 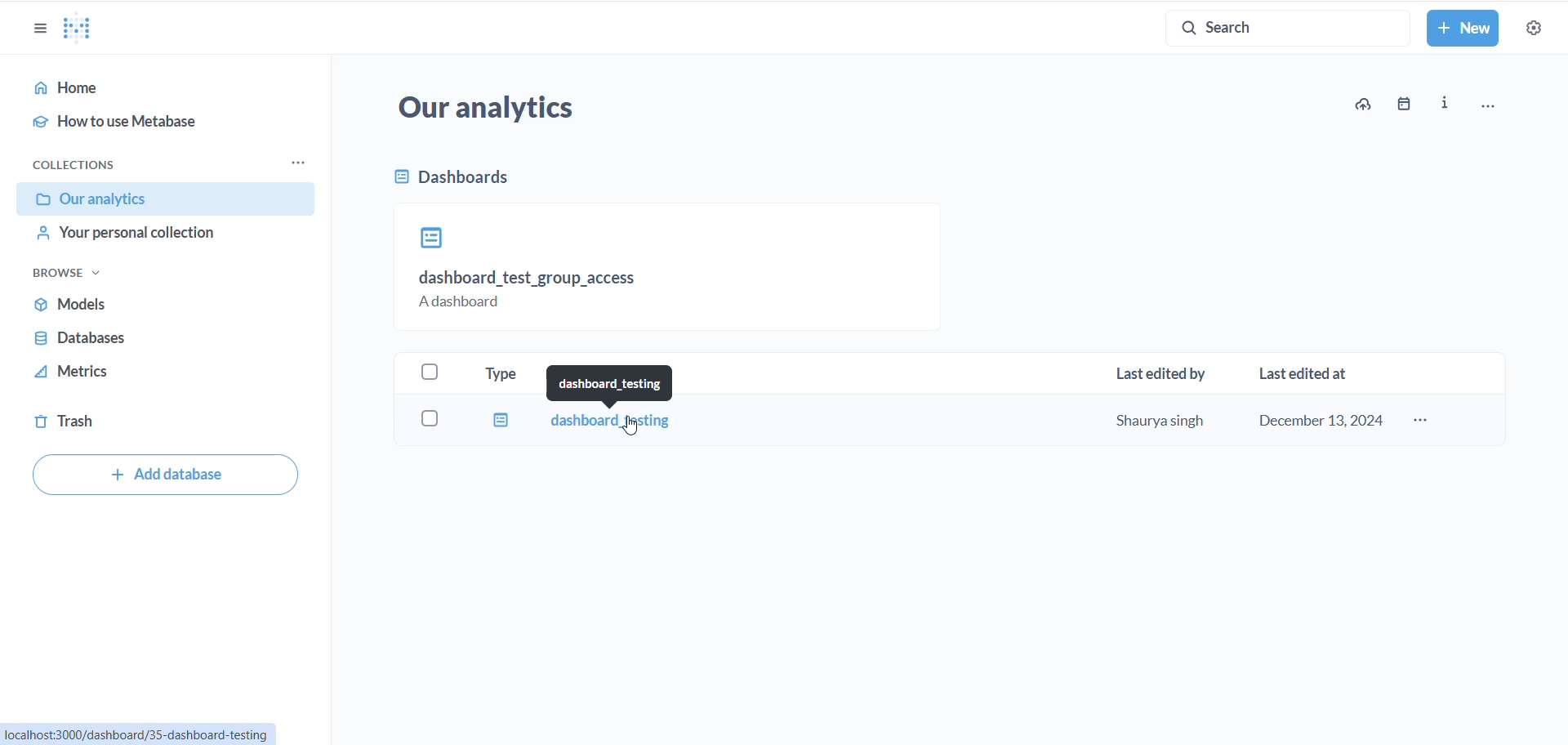 What do you see at coordinates (433, 373) in the screenshot?
I see `checkbox` at bounding box center [433, 373].